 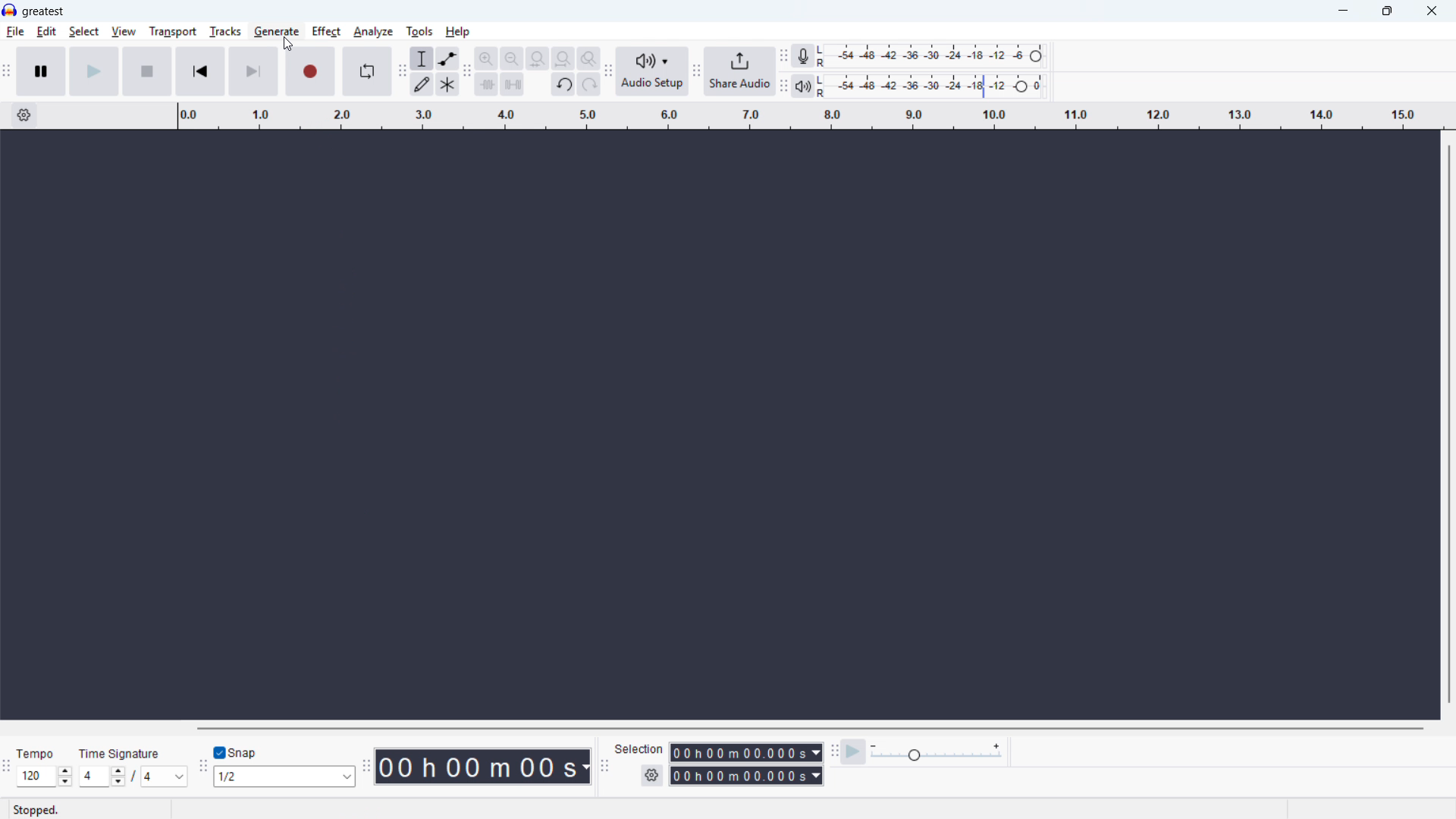 What do you see at coordinates (448, 58) in the screenshot?
I see `envelope tool` at bounding box center [448, 58].